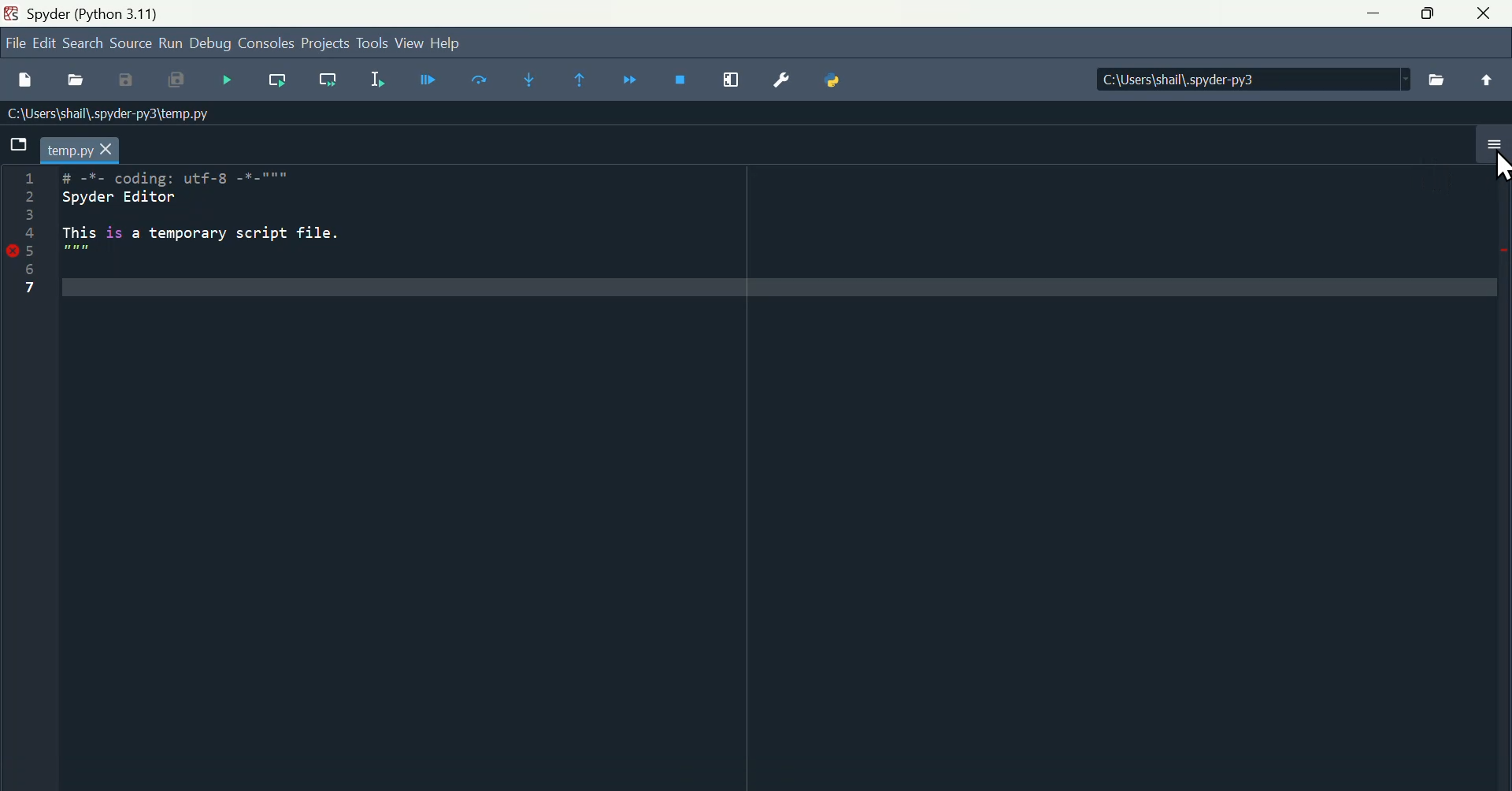 The height and width of the screenshot is (791, 1512). I want to click on execute until same function return, so click(587, 81).